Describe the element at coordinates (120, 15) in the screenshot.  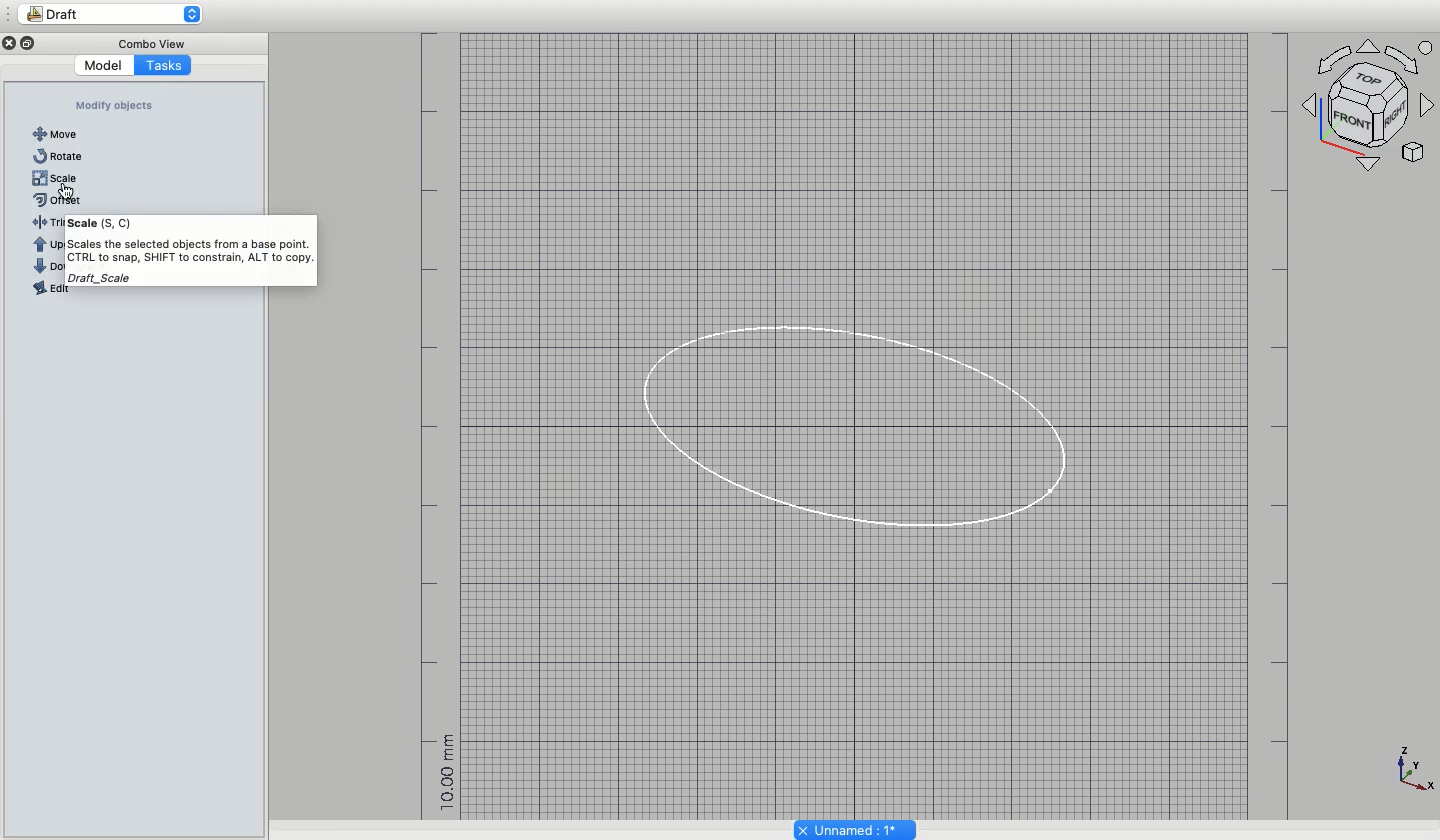
I see `Draft` at that location.